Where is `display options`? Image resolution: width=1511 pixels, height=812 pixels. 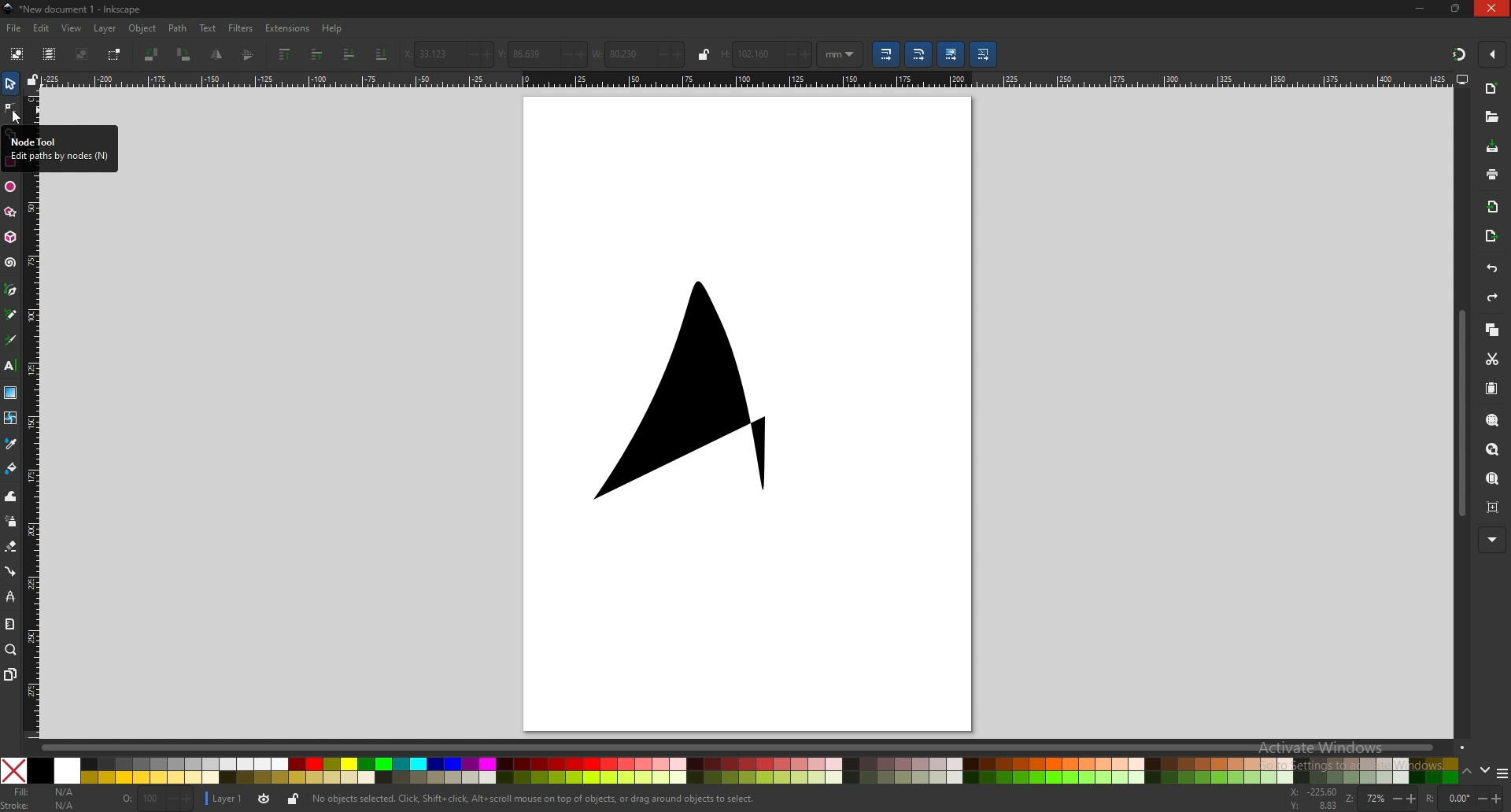
display options is located at coordinates (1463, 79).